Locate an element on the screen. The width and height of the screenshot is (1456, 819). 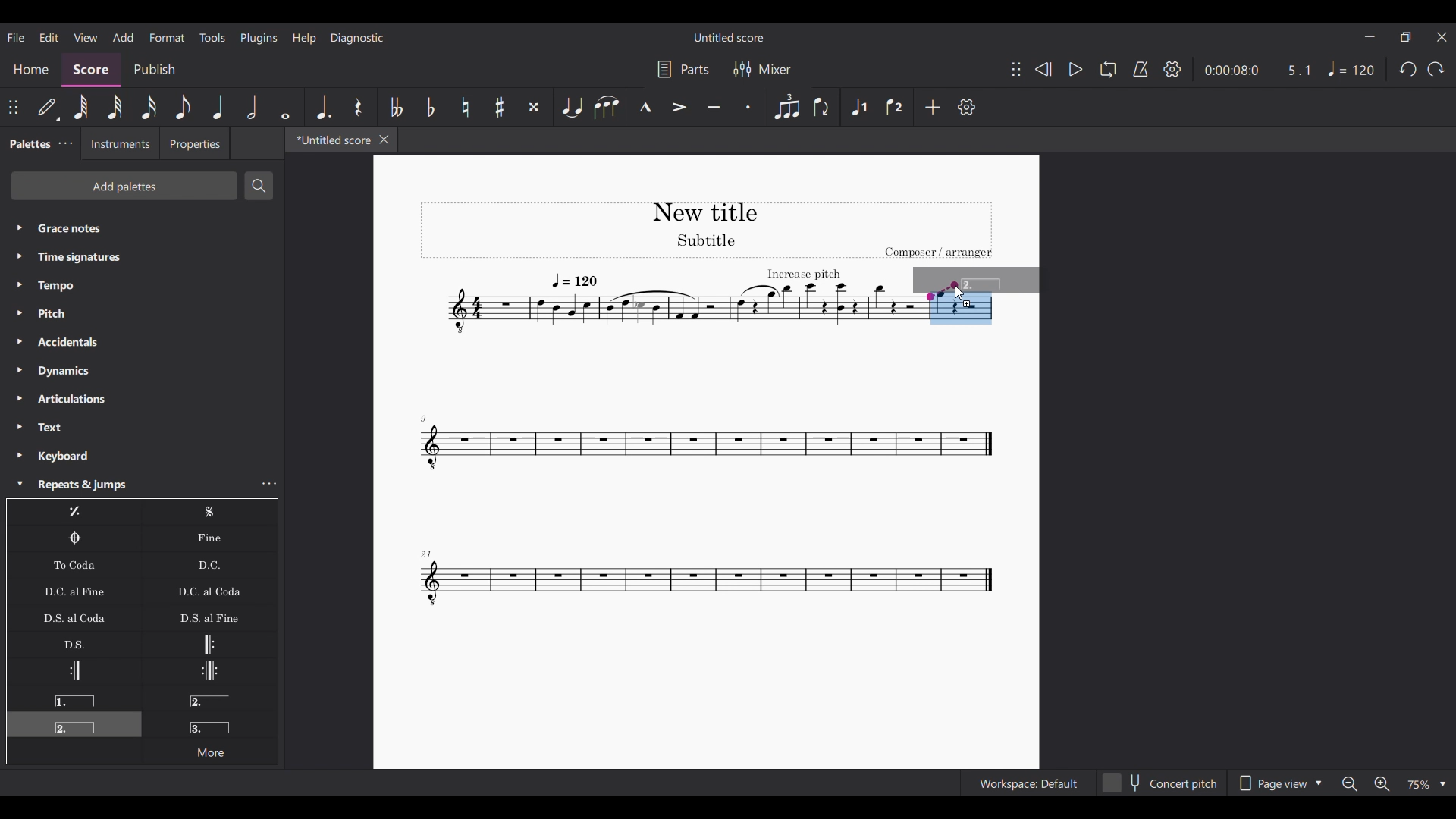
Parts settings is located at coordinates (684, 69).